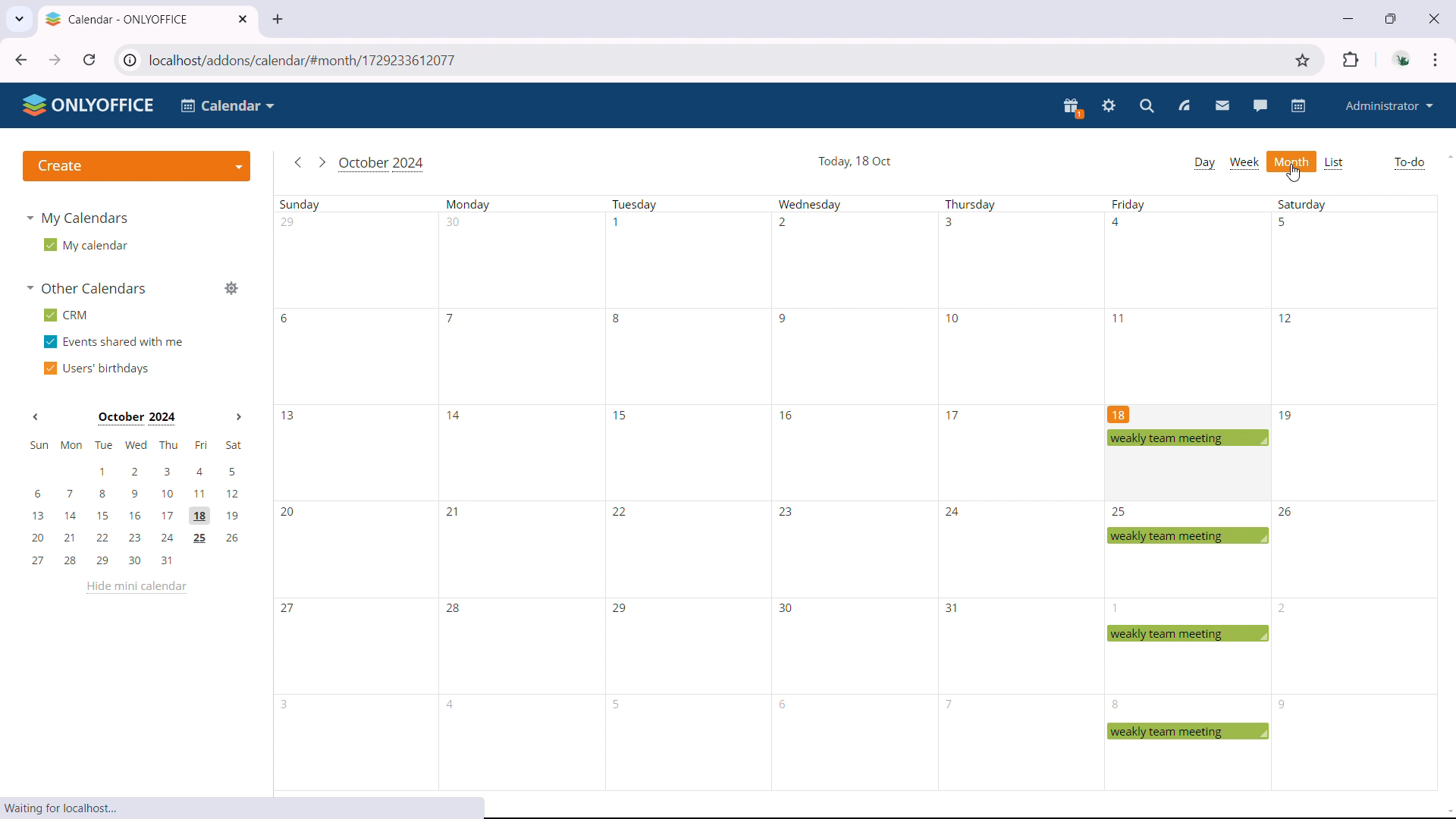 The width and height of the screenshot is (1456, 819). What do you see at coordinates (65, 315) in the screenshot?
I see `crm` at bounding box center [65, 315].